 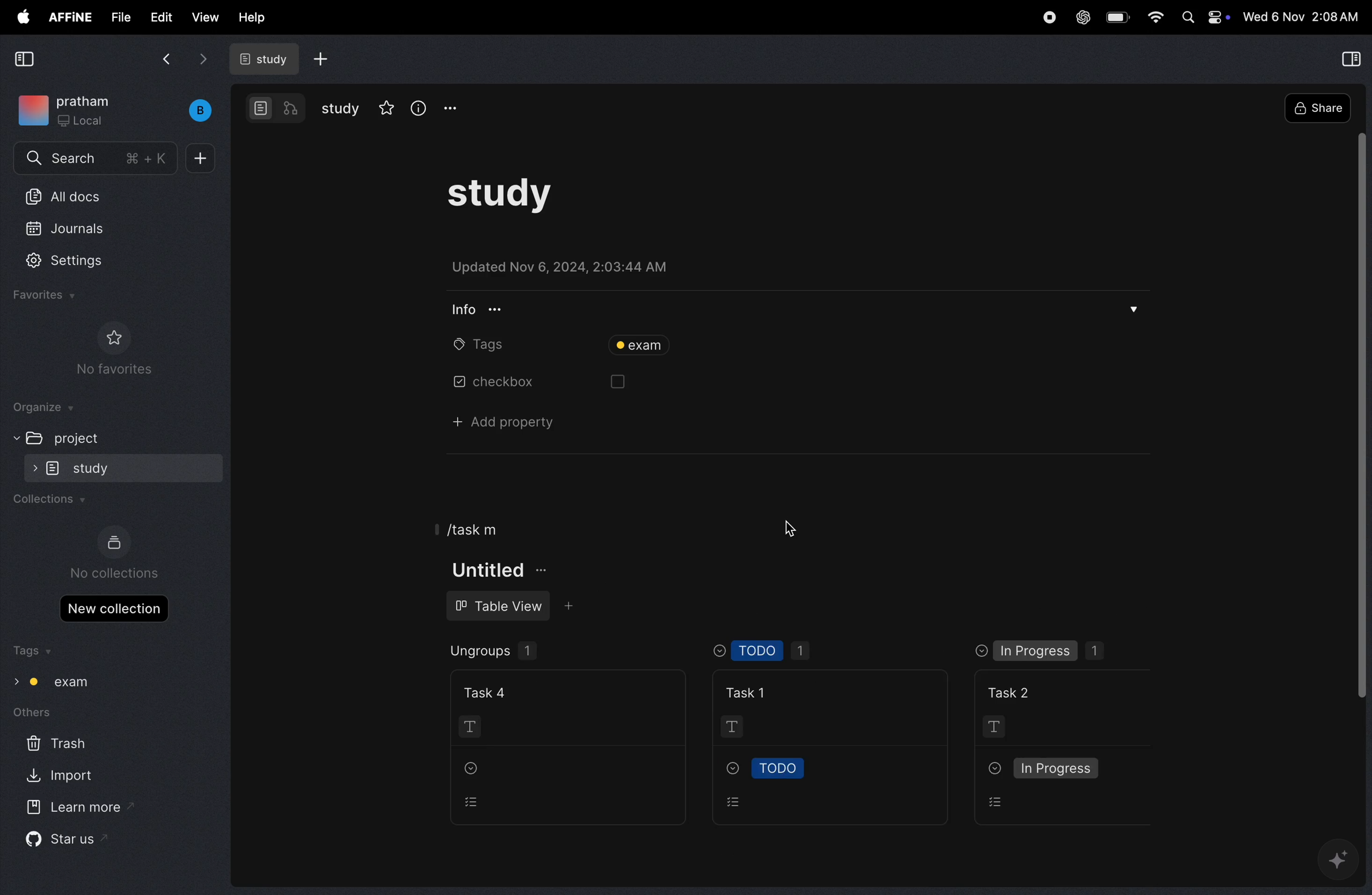 What do you see at coordinates (1016, 695) in the screenshot?
I see `task 2` at bounding box center [1016, 695].